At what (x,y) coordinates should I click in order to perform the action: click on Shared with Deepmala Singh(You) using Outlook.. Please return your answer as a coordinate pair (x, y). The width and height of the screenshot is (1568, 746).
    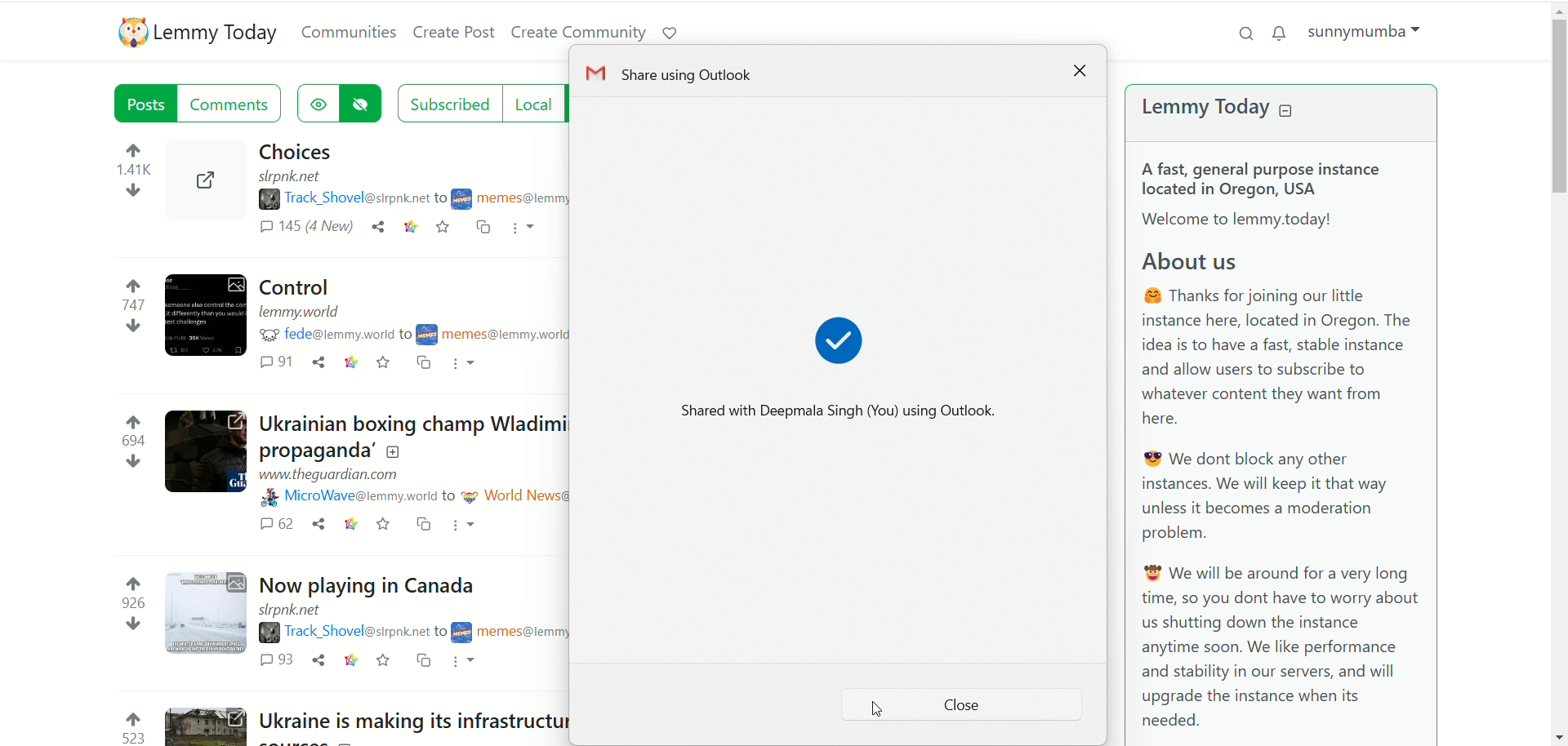
    Looking at the image, I should click on (835, 412).